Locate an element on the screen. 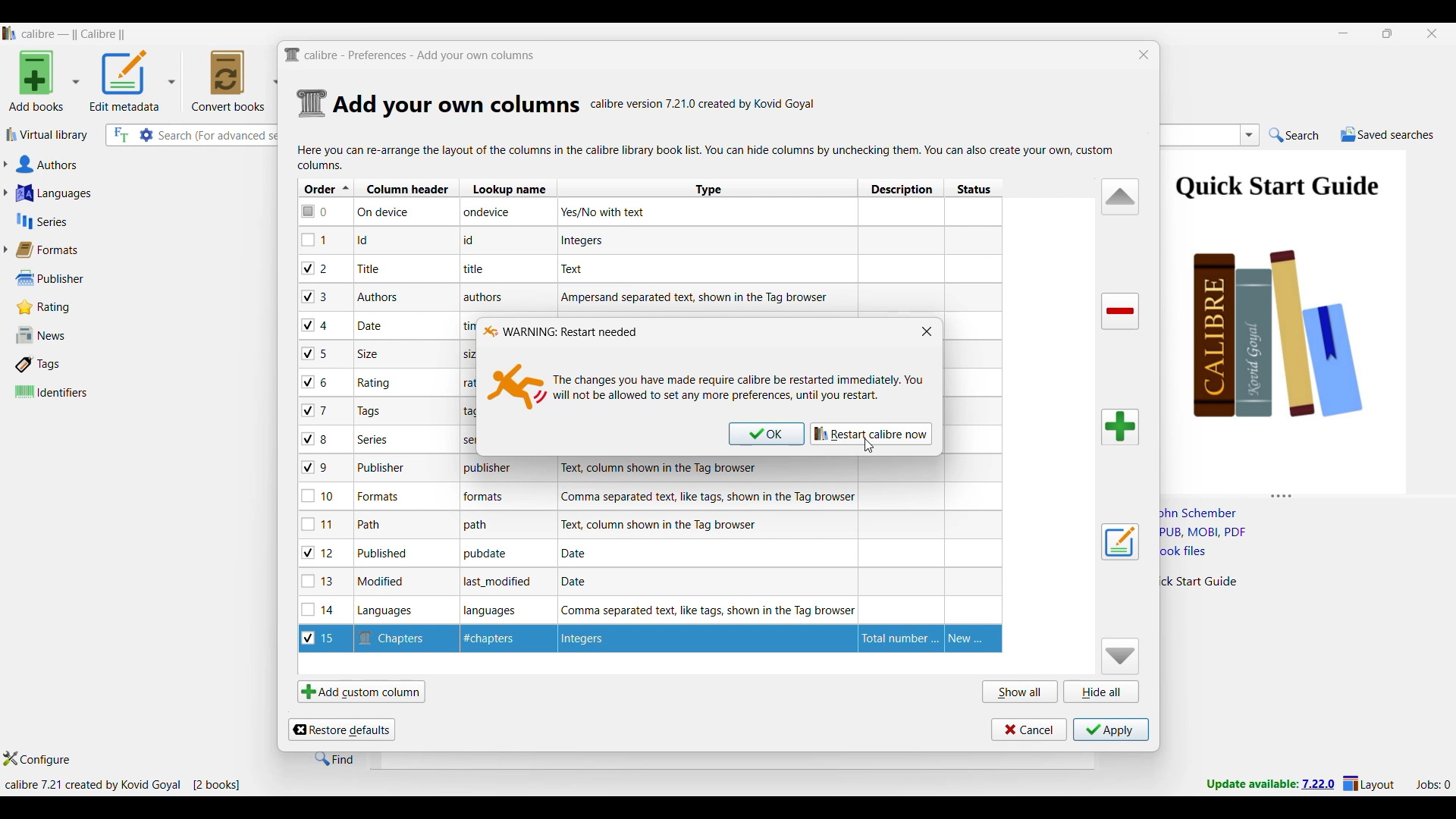 Image resolution: width=1456 pixels, height=819 pixels. Description of current window is located at coordinates (707, 157).